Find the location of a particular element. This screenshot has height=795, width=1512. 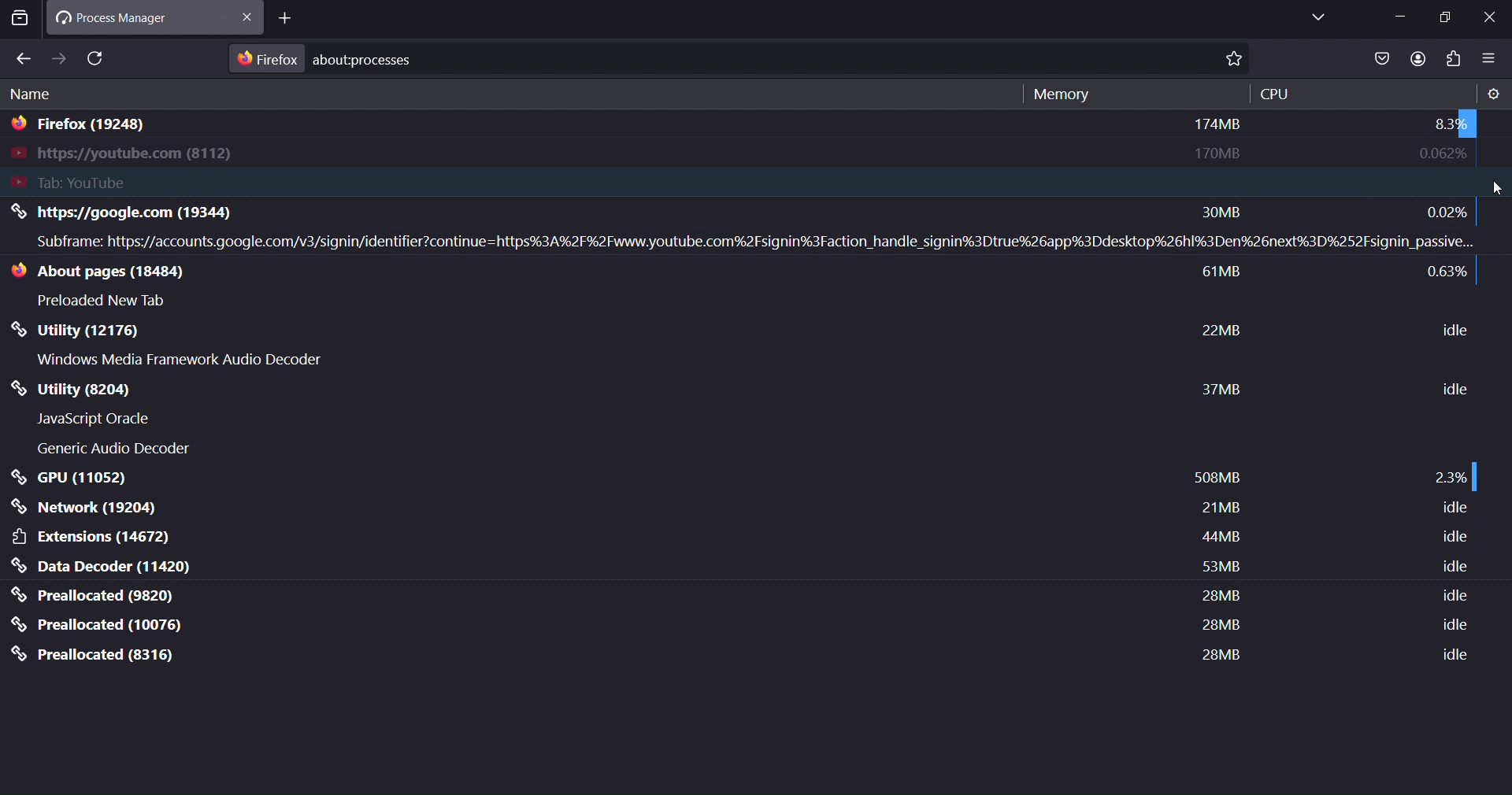

Subframe: https://accounts.google.com/v3/signin/identifier?continue=https%3A%2F%2Fwww.youtube.com%2Fsignin%3Faction_handle_signin%3Dtrue%26app%3Ddesktop%26hi%3Den%26next%3D%252Fsignin_passive... is located at coordinates (750, 242).